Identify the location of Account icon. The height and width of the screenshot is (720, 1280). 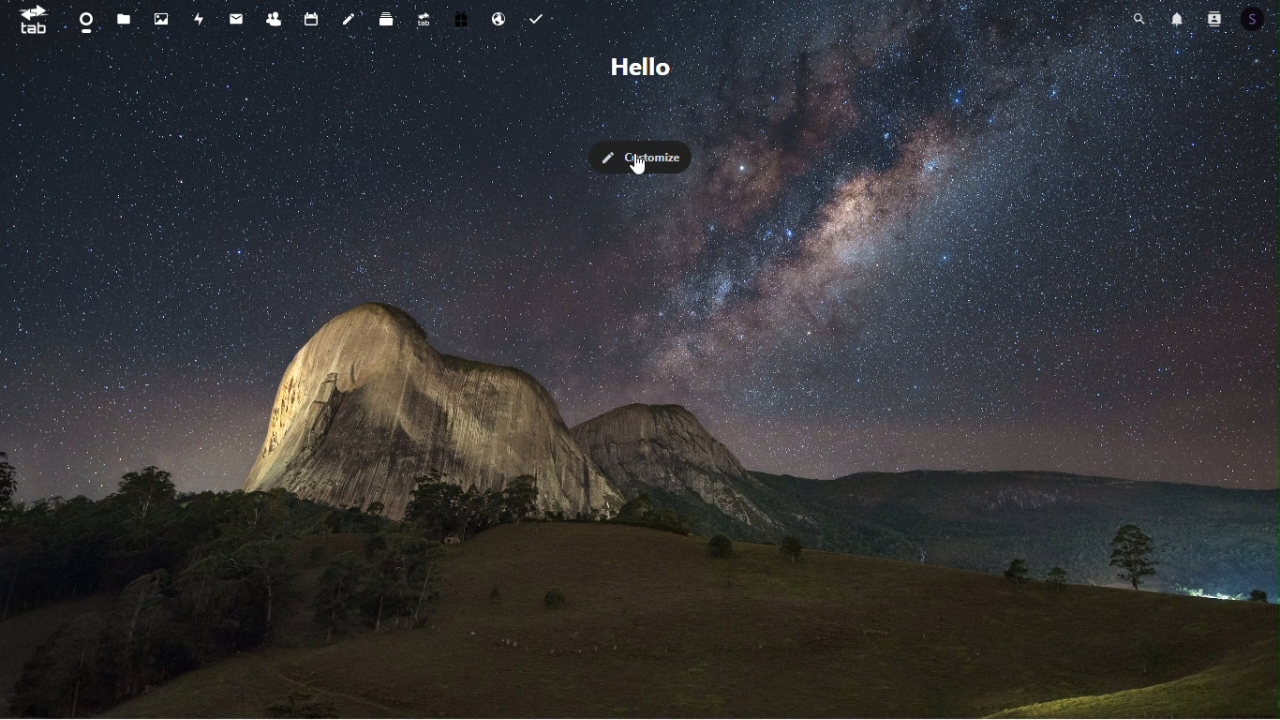
(1255, 19).